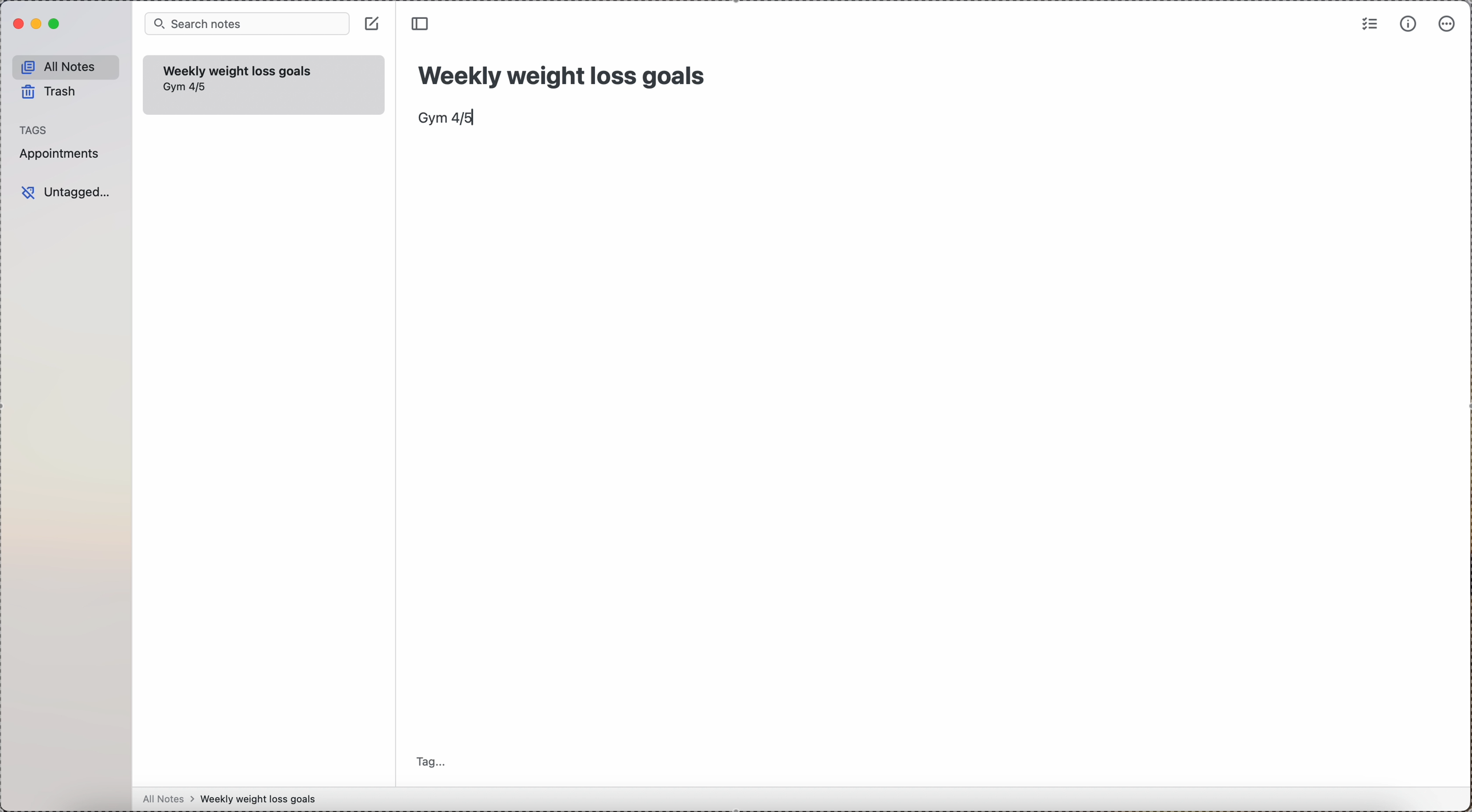  What do you see at coordinates (247, 24) in the screenshot?
I see `search bar` at bounding box center [247, 24].